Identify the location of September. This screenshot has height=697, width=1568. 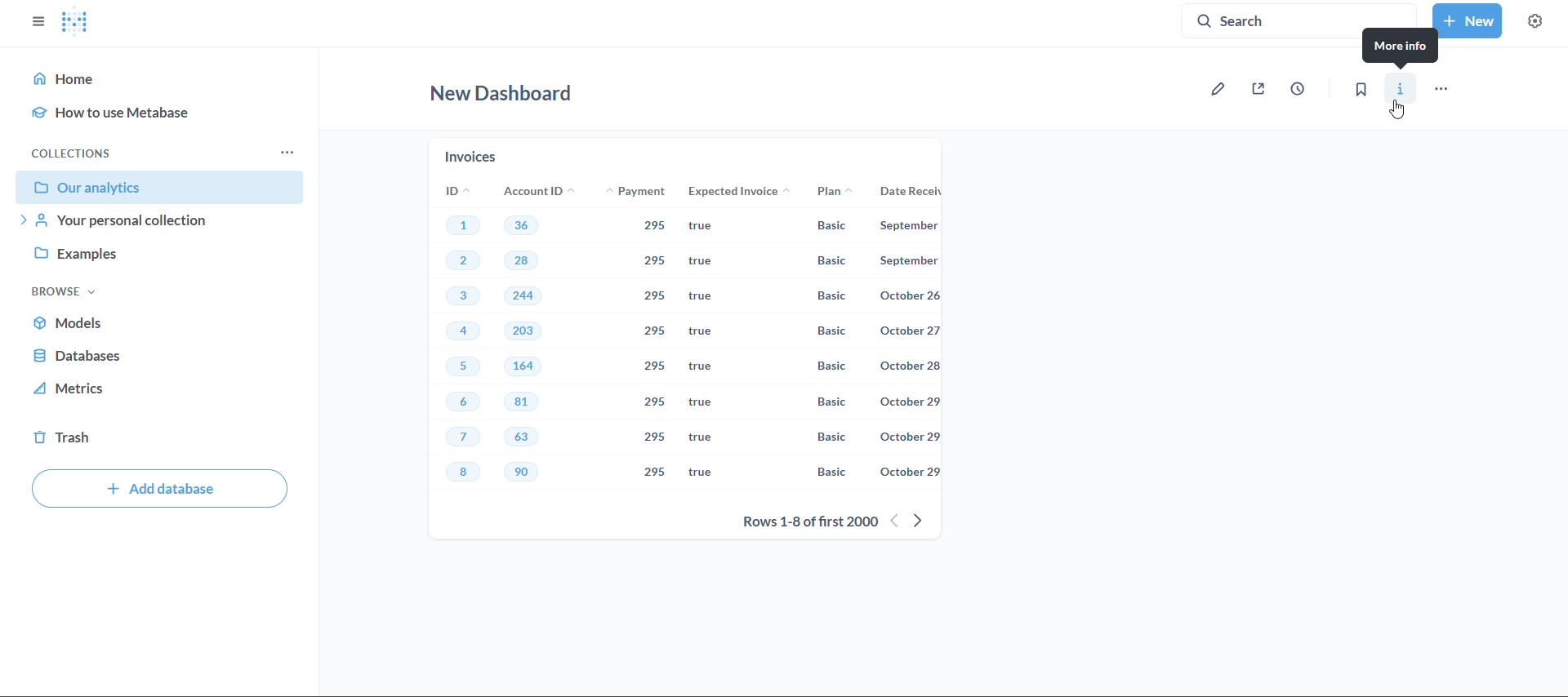
(915, 260).